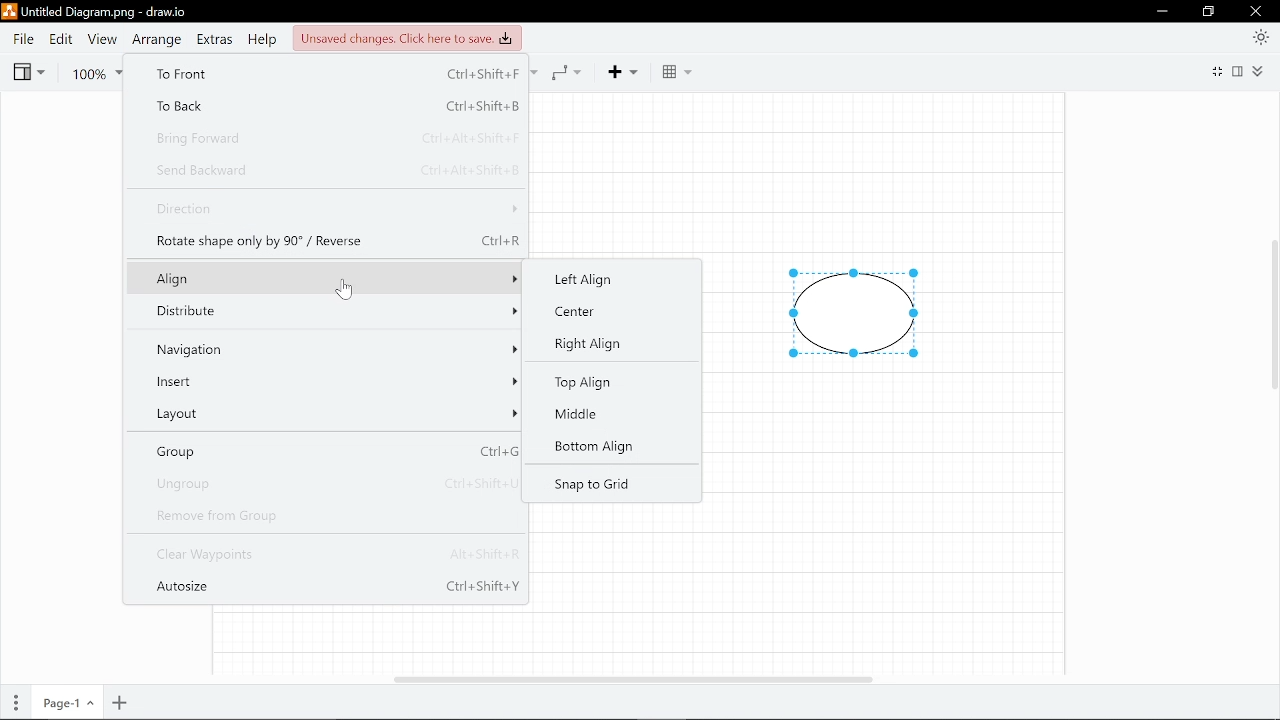  I want to click on Distribute, so click(330, 312).